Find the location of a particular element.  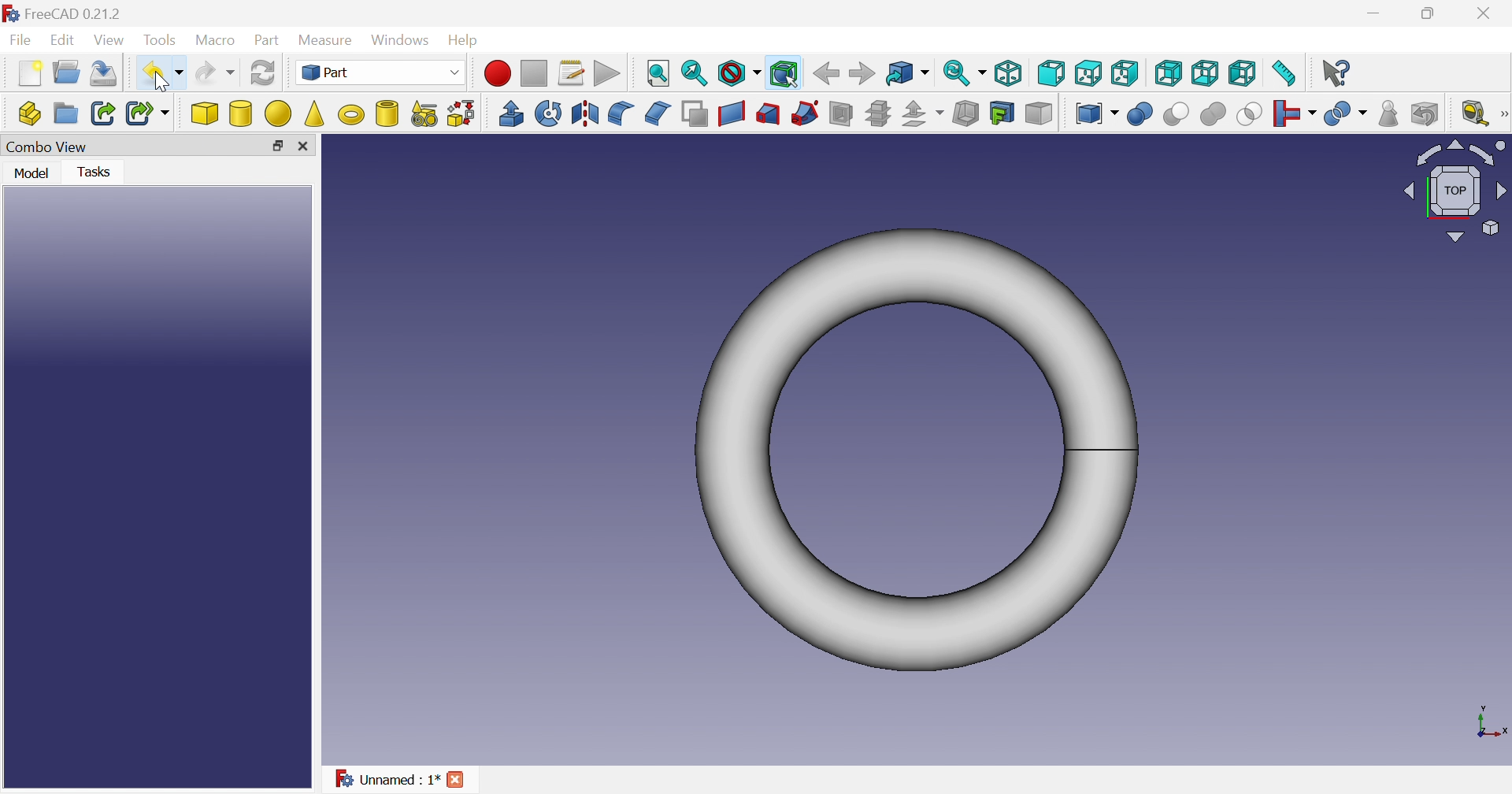

Torus is located at coordinates (917, 451).